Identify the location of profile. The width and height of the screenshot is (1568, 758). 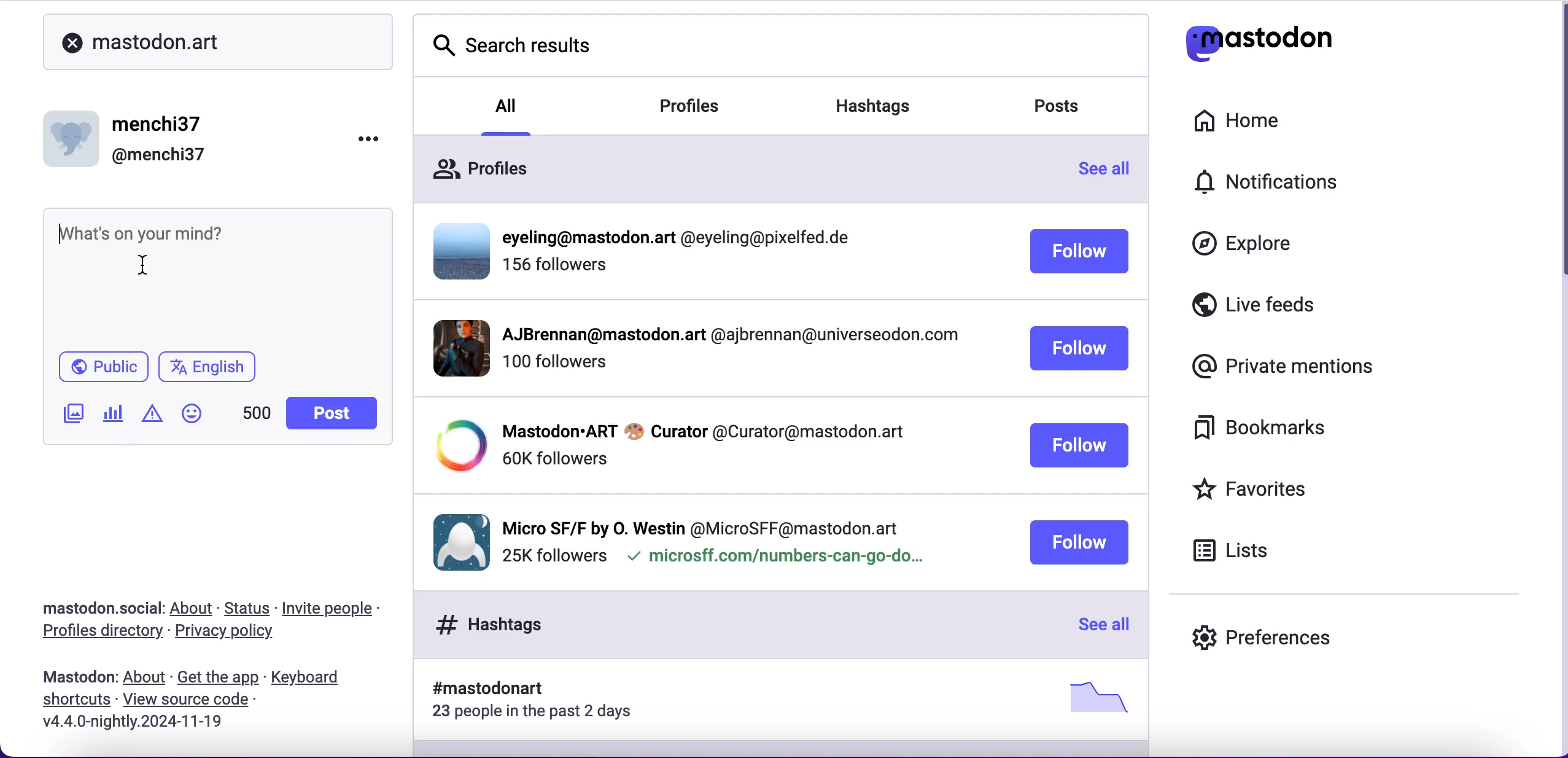
(702, 525).